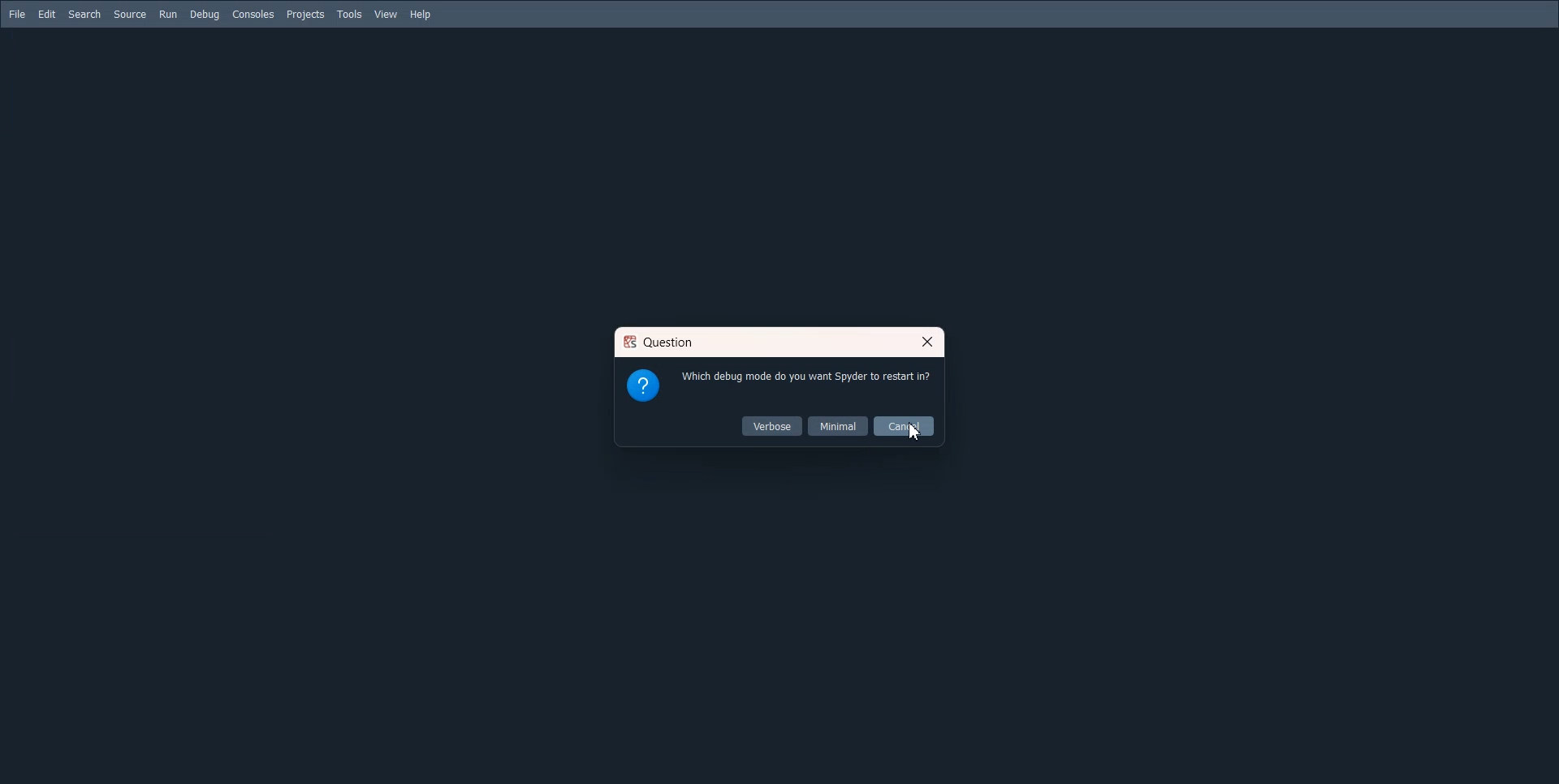 This screenshot has height=784, width=1559. What do you see at coordinates (642, 384) in the screenshot?
I see `Question Mark` at bounding box center [642, 384].